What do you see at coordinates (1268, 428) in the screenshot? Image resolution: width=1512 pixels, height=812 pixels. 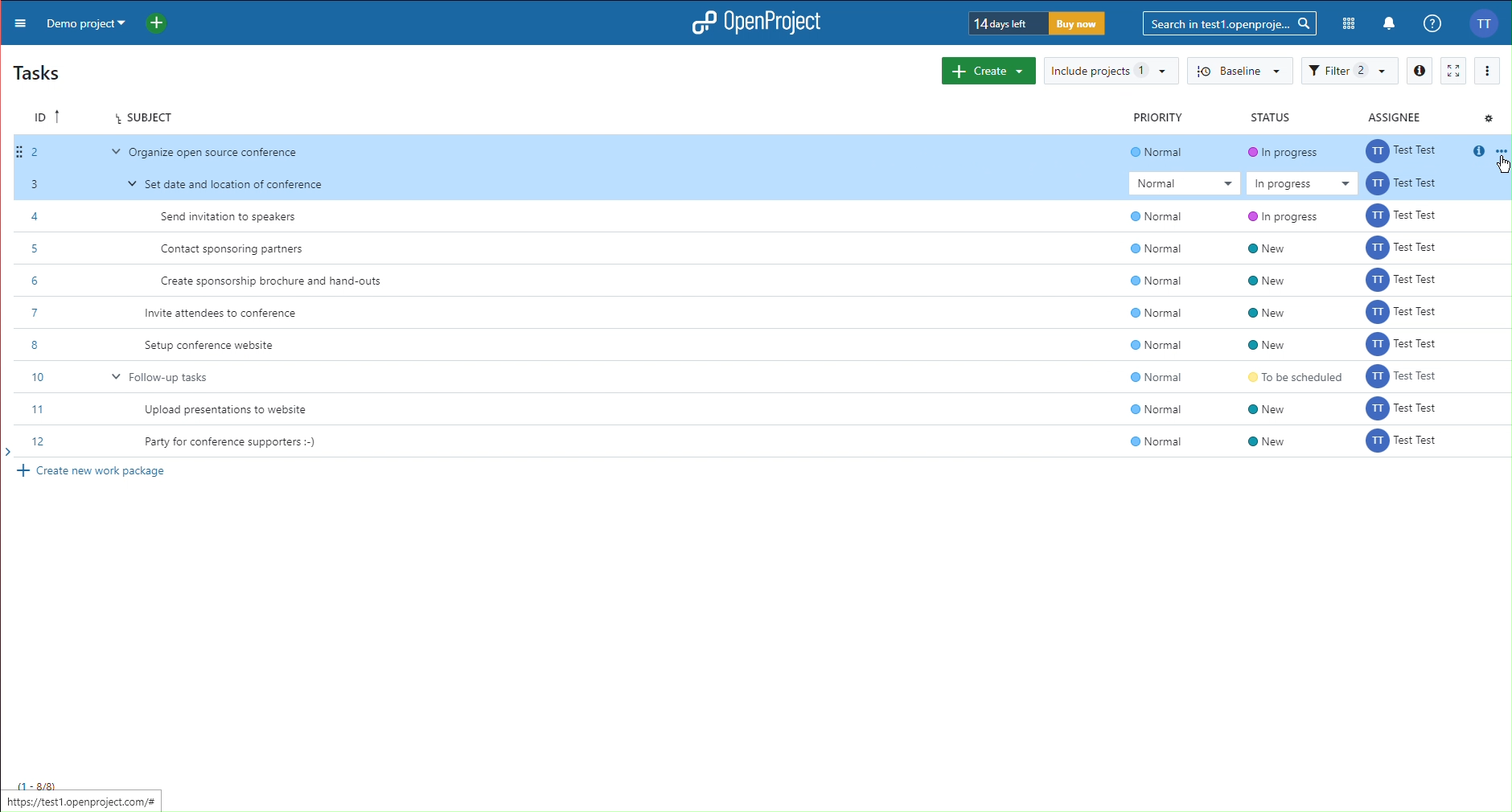 I see `new` at bounding box center [1268, 428].